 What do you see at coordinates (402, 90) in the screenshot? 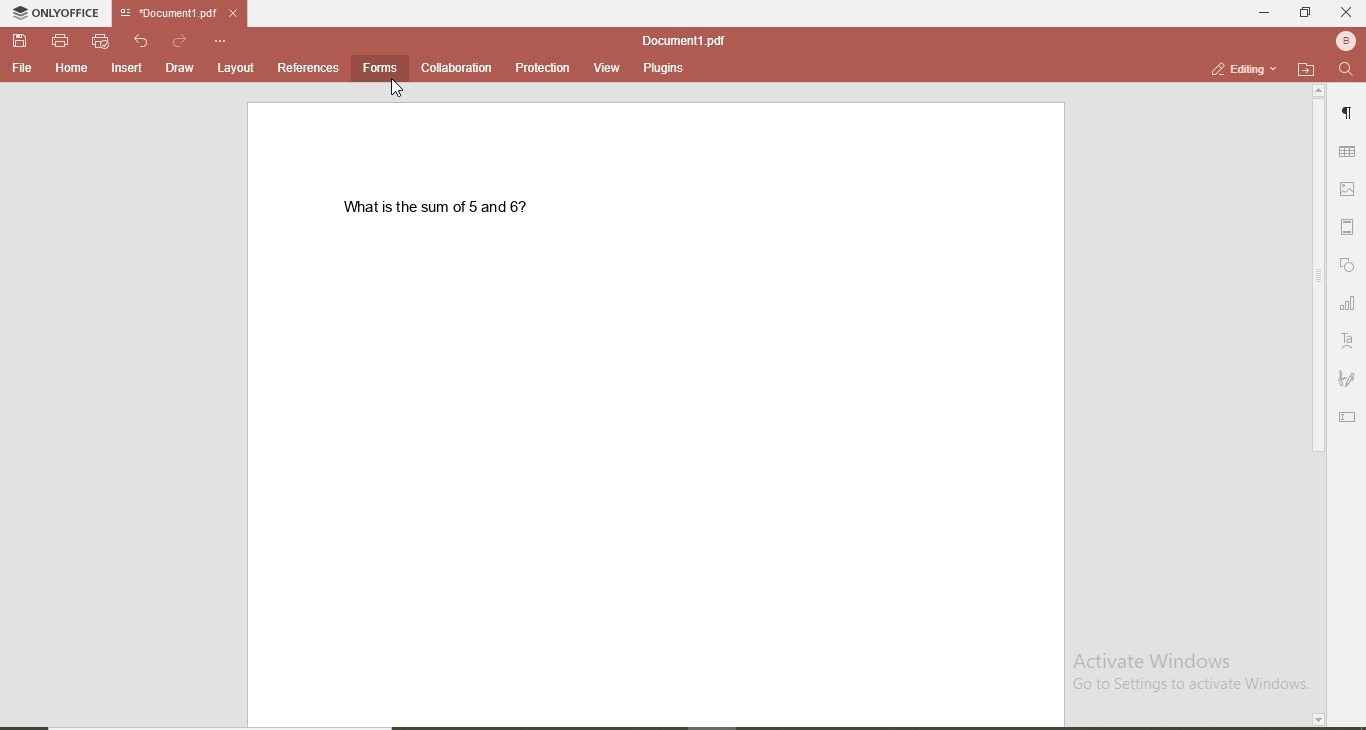
I see `cursor` at bounding box center [402, 90].